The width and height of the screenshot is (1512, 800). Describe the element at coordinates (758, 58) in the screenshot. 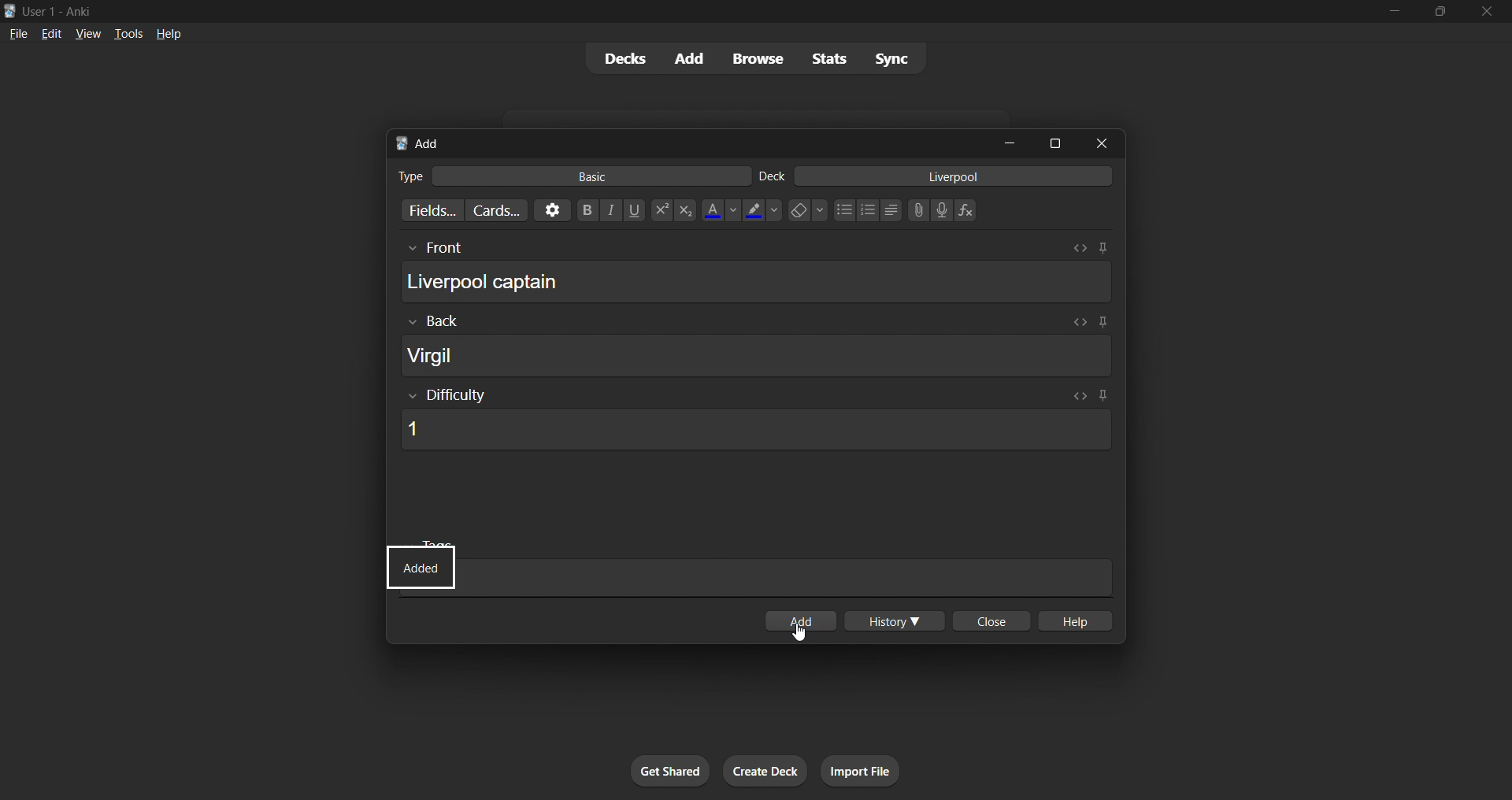

I see `browse` at that location.